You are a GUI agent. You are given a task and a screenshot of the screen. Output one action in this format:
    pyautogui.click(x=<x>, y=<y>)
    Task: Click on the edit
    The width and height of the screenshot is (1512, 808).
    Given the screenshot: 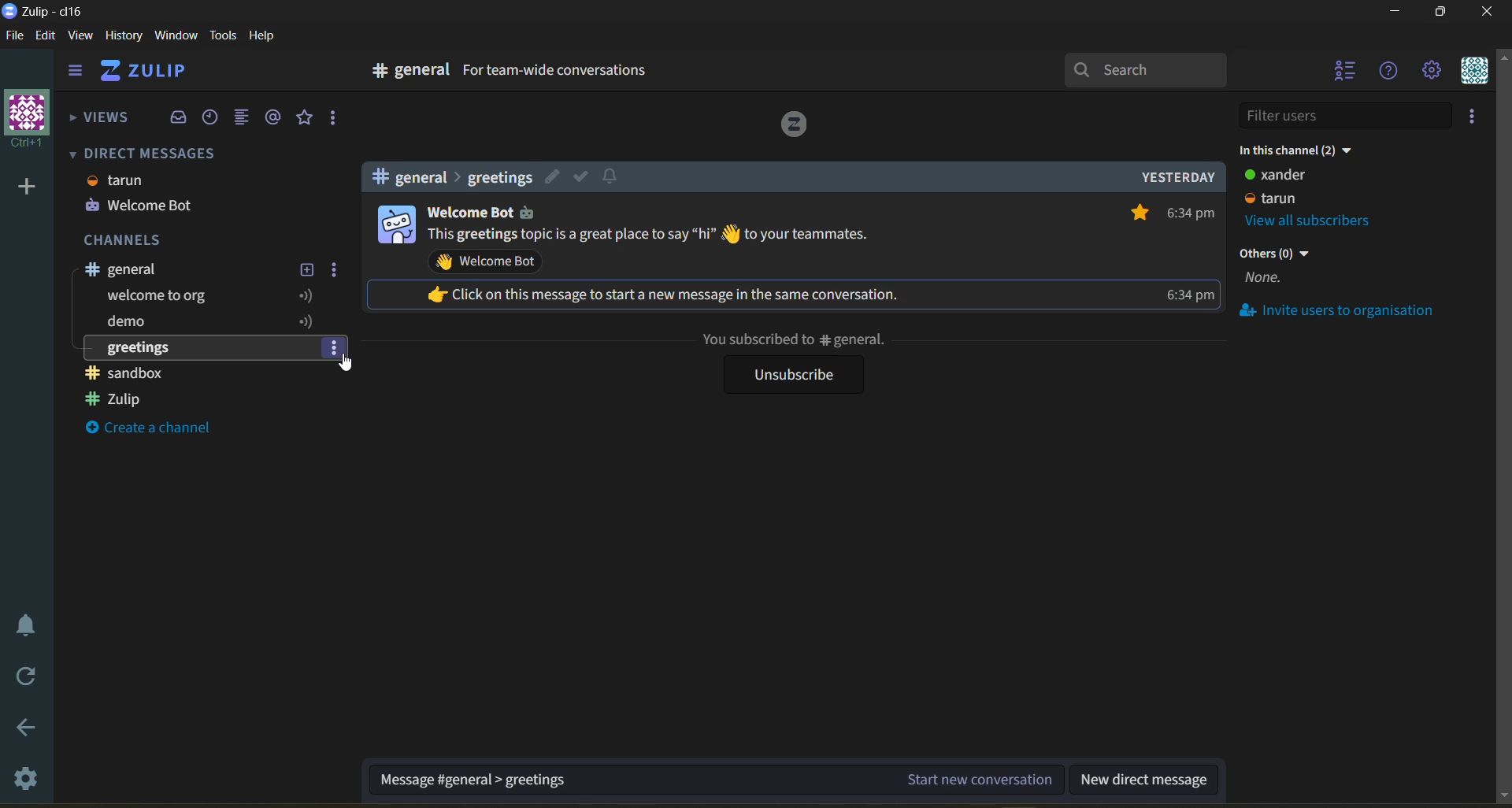 What is the action you would take?
    pyautogui.click(x=50, y=39)
    